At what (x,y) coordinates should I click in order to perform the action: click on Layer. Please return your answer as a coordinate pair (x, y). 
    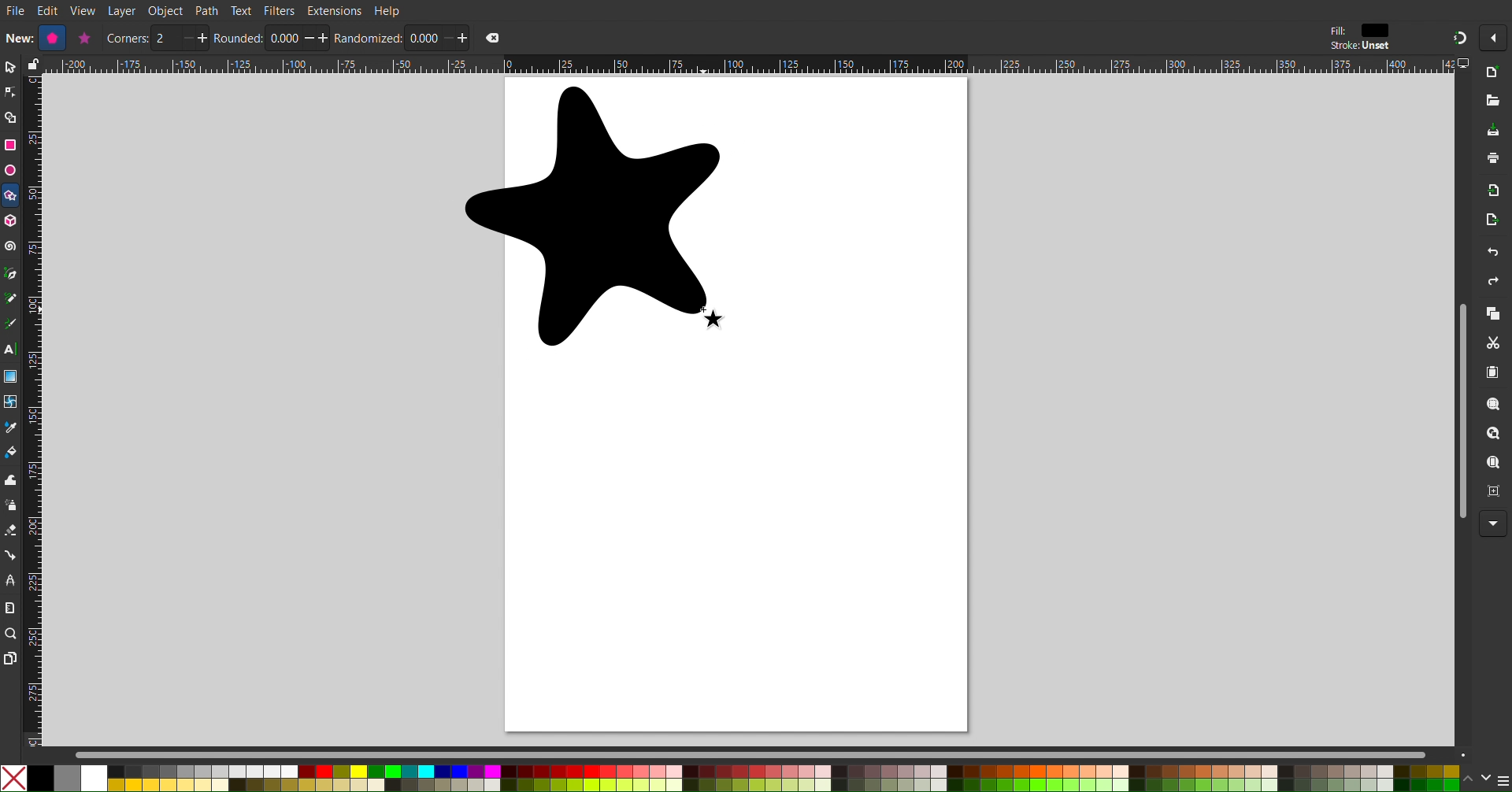
    Looking at the image, I should click on (121, 11).